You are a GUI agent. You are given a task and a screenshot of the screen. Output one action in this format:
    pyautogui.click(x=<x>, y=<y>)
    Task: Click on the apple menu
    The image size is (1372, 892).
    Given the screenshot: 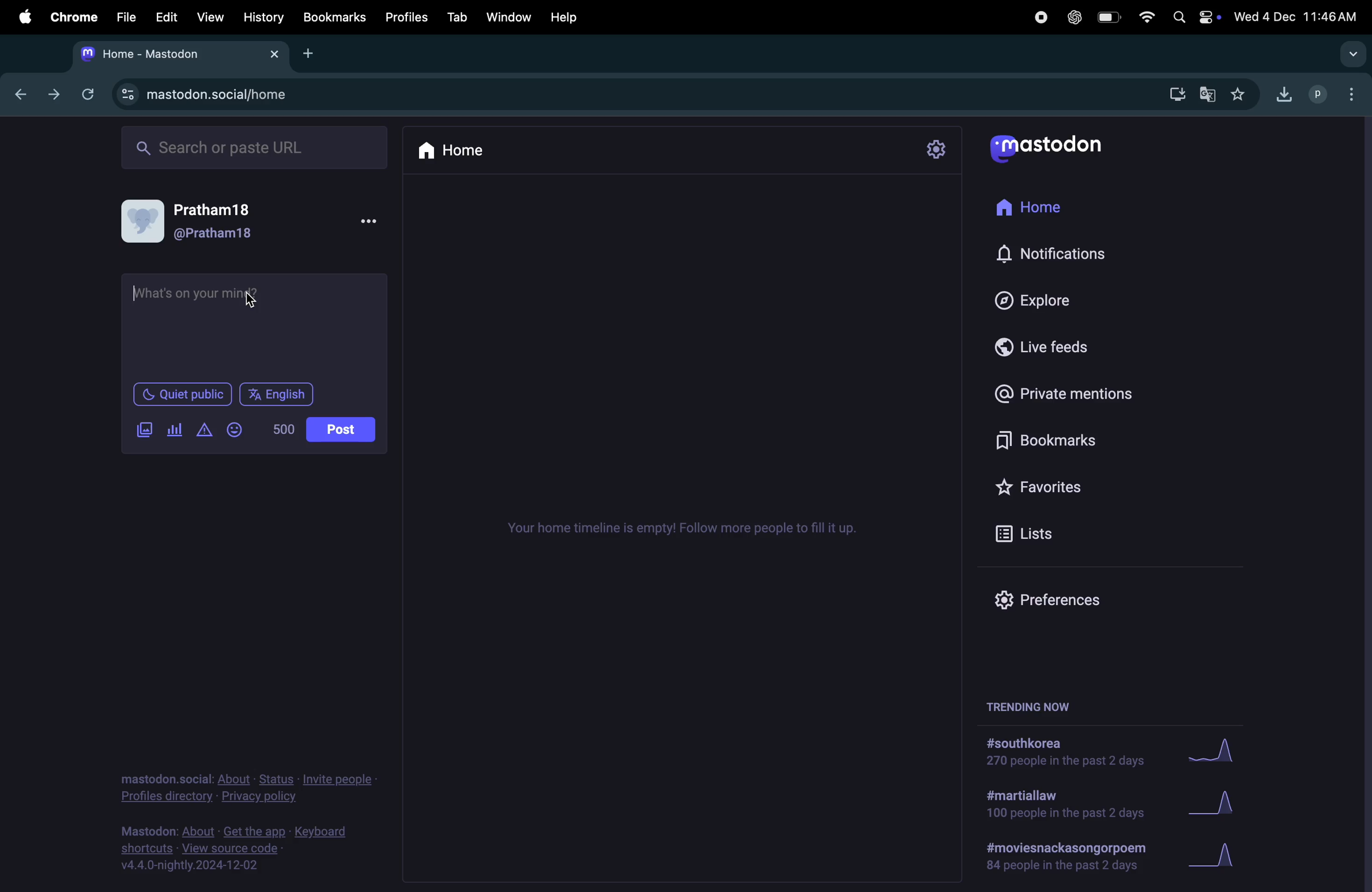 What is the action you would take?
    pyautogui.click(x=21, y=20)
    